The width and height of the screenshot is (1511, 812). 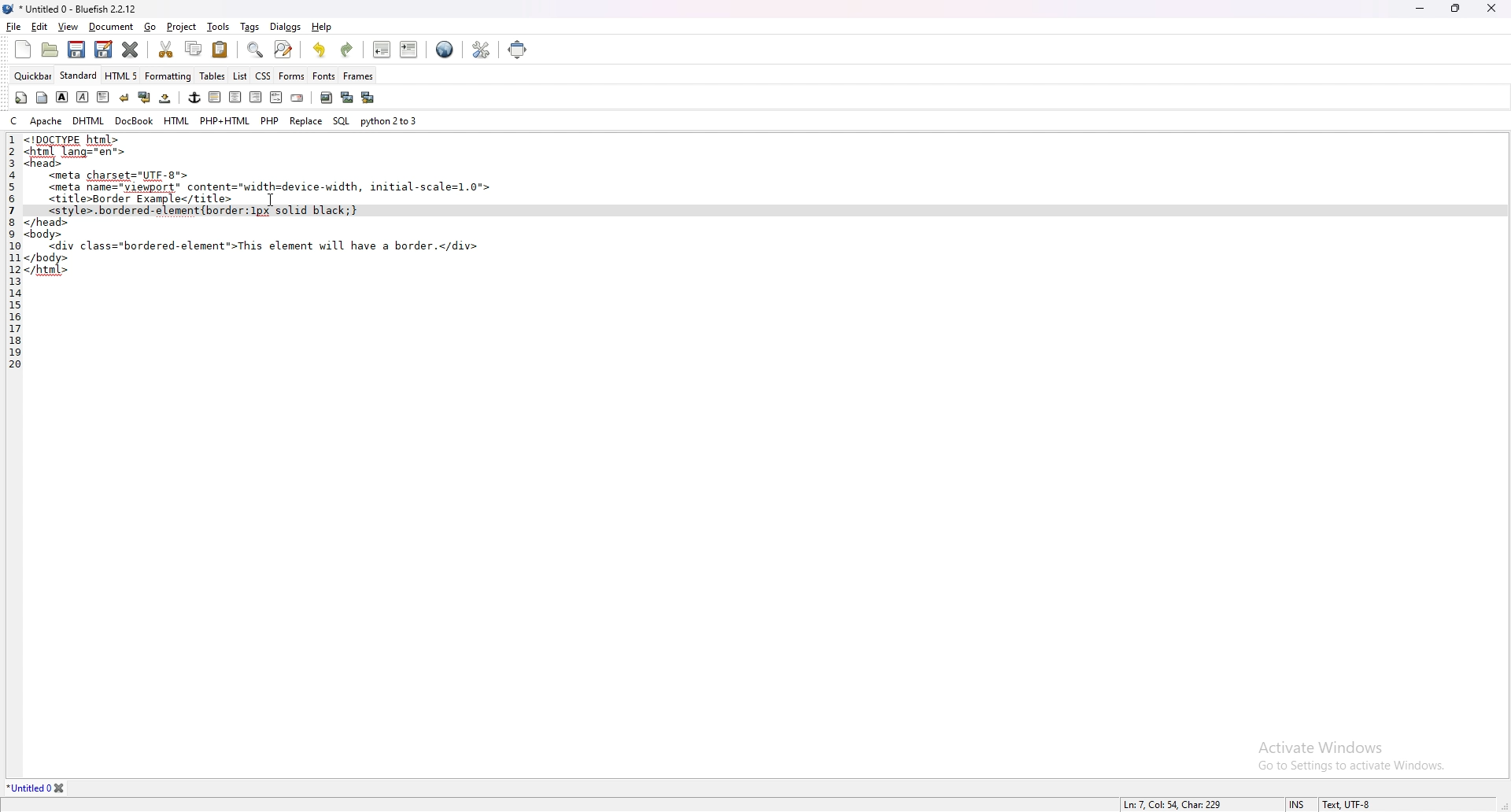 I want to click on *Untitled 0, so click(x=38, y=788).